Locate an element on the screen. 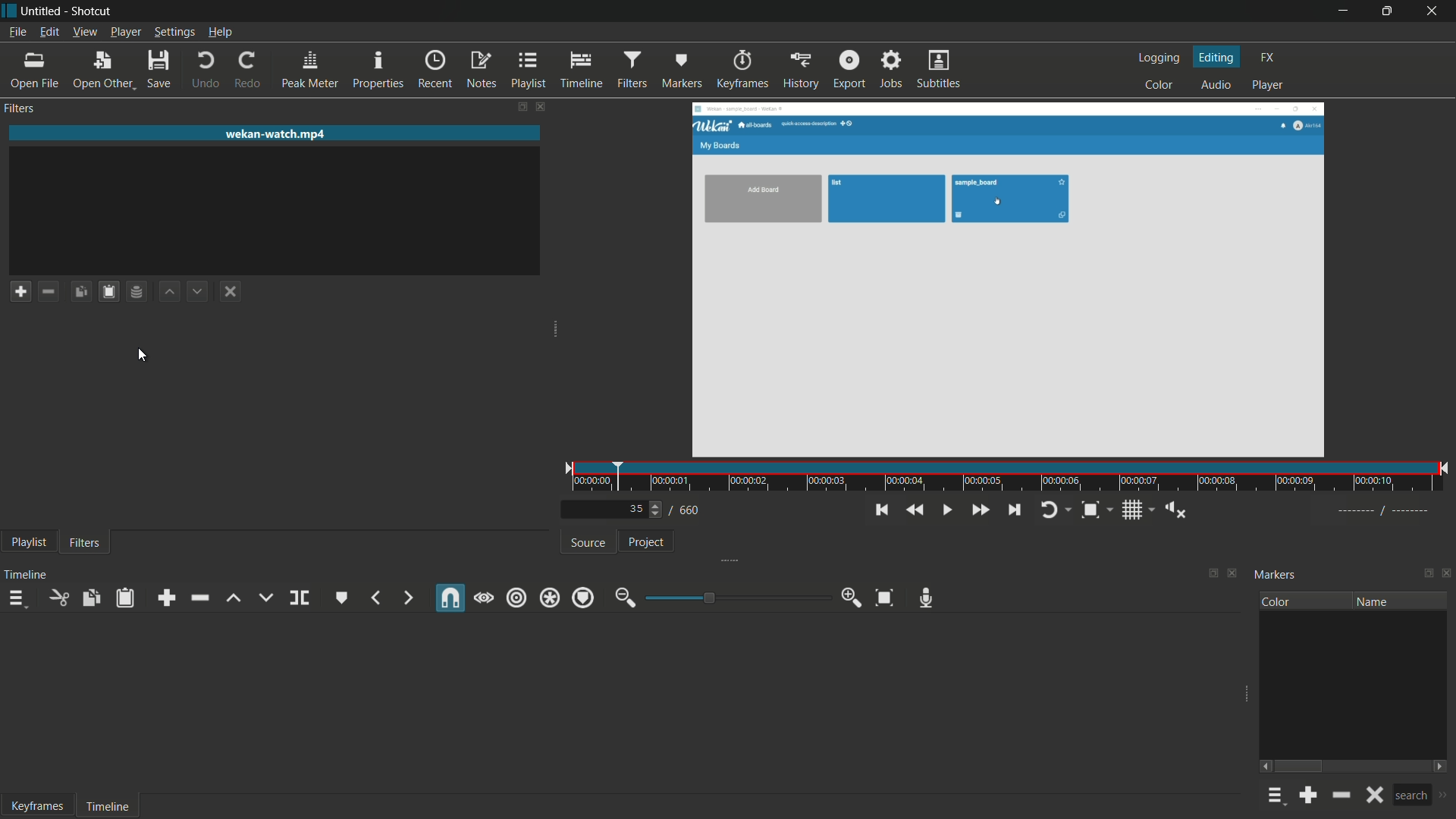 This screenshot has width=1456, height=819. time is located at coordinates (1009, 476).